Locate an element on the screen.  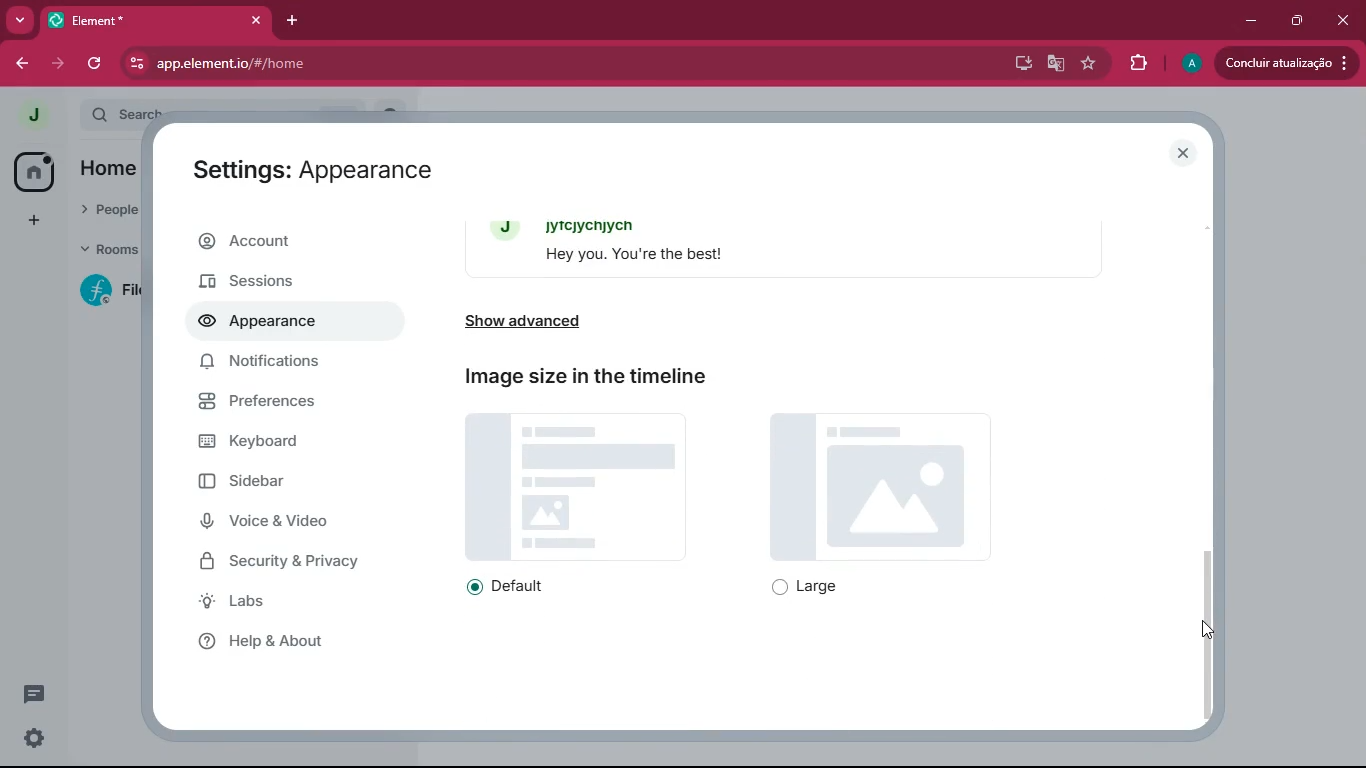
show advanced is located at coordinates (560, 321).